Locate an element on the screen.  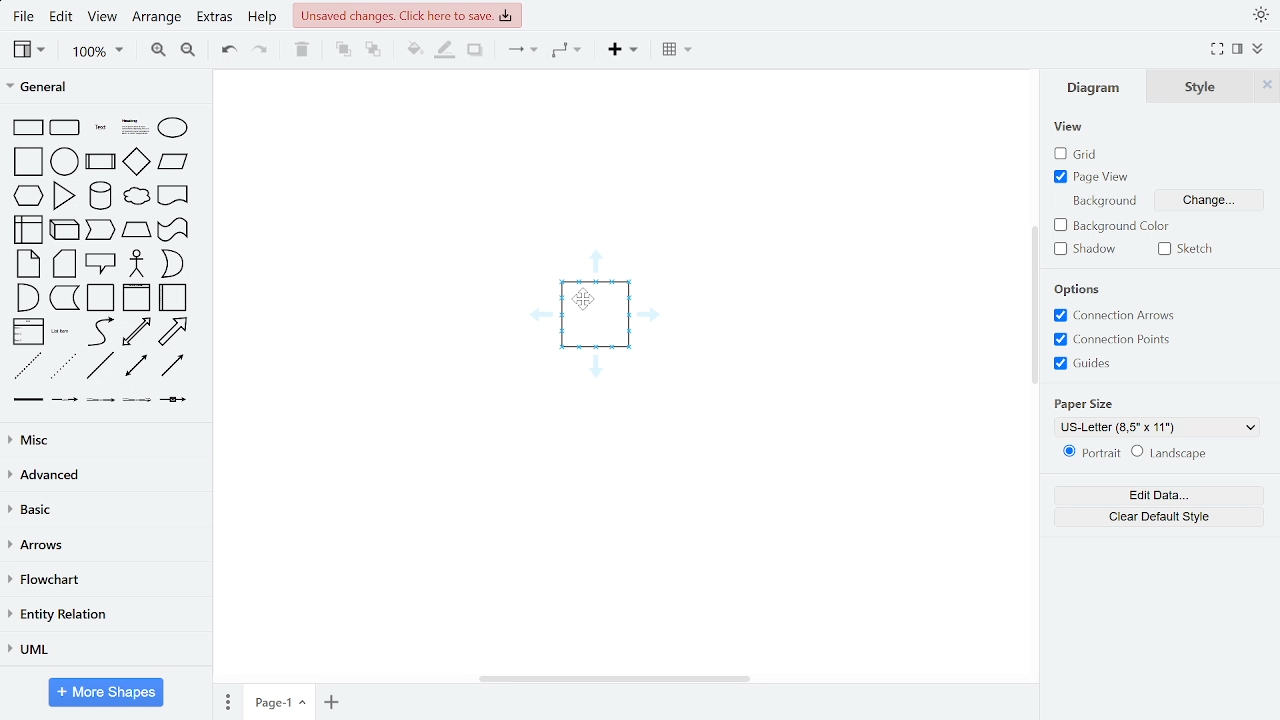
connection points is located at coordinates (1114, 339).